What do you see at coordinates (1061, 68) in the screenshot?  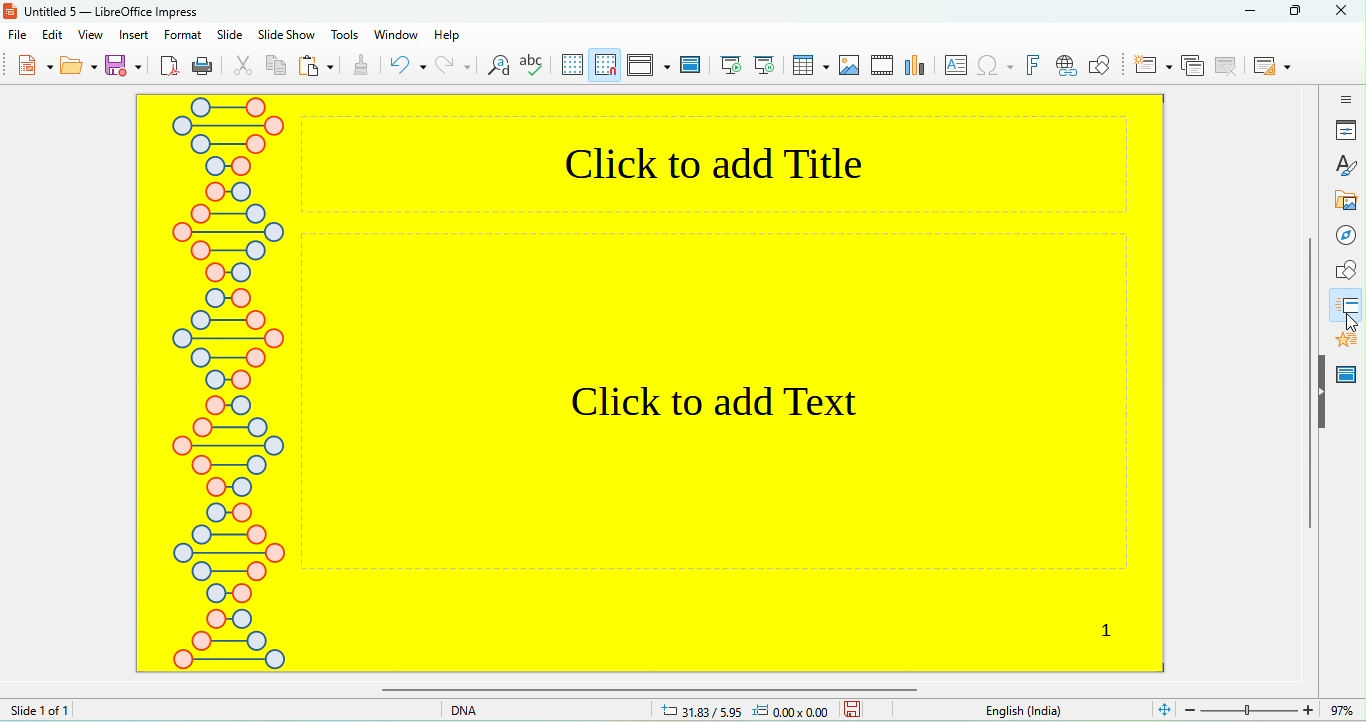 I see `hyperlink` at bounding box center [1061, 68].